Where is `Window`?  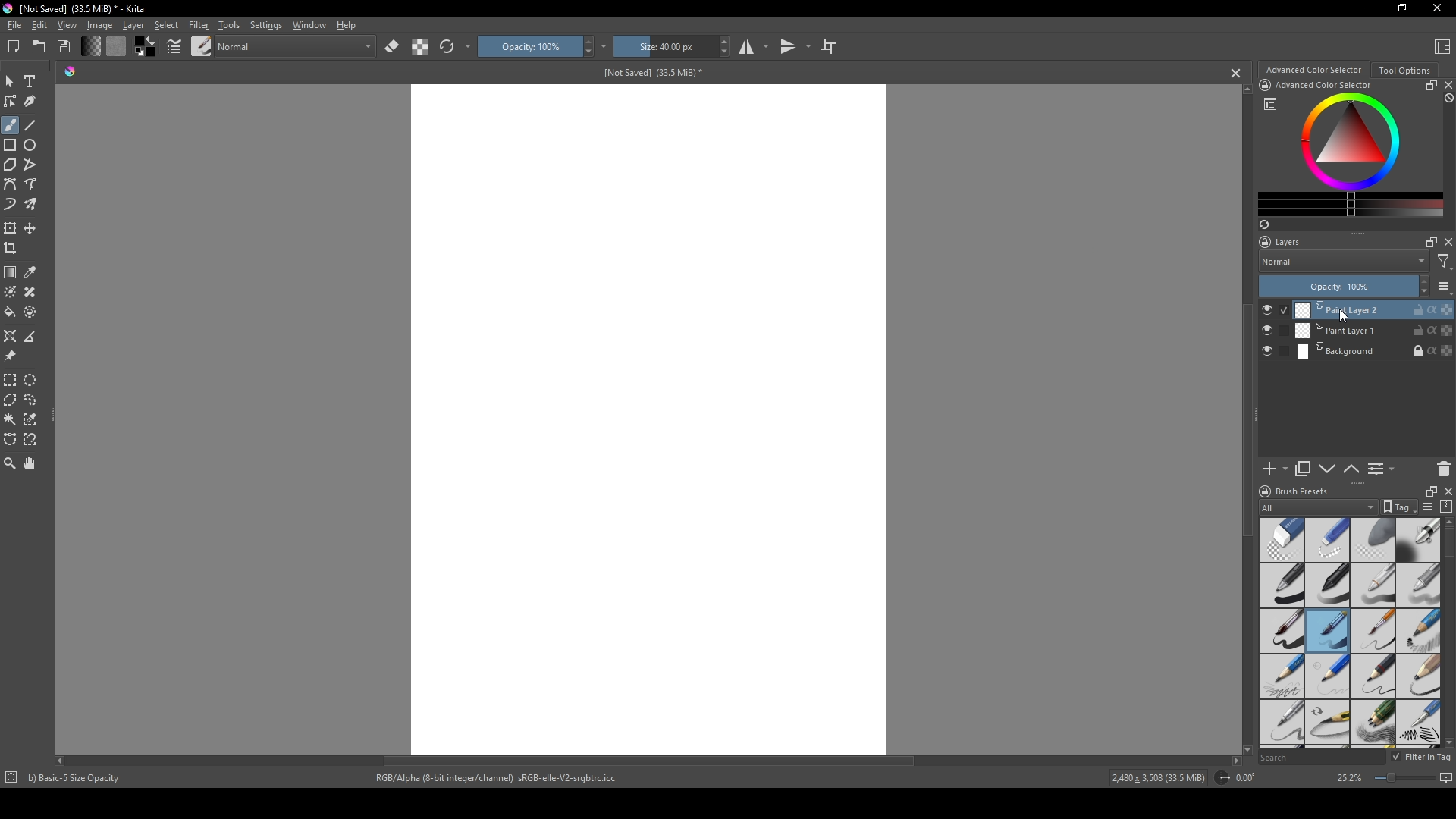
Window is located at coordinates (307, 24).